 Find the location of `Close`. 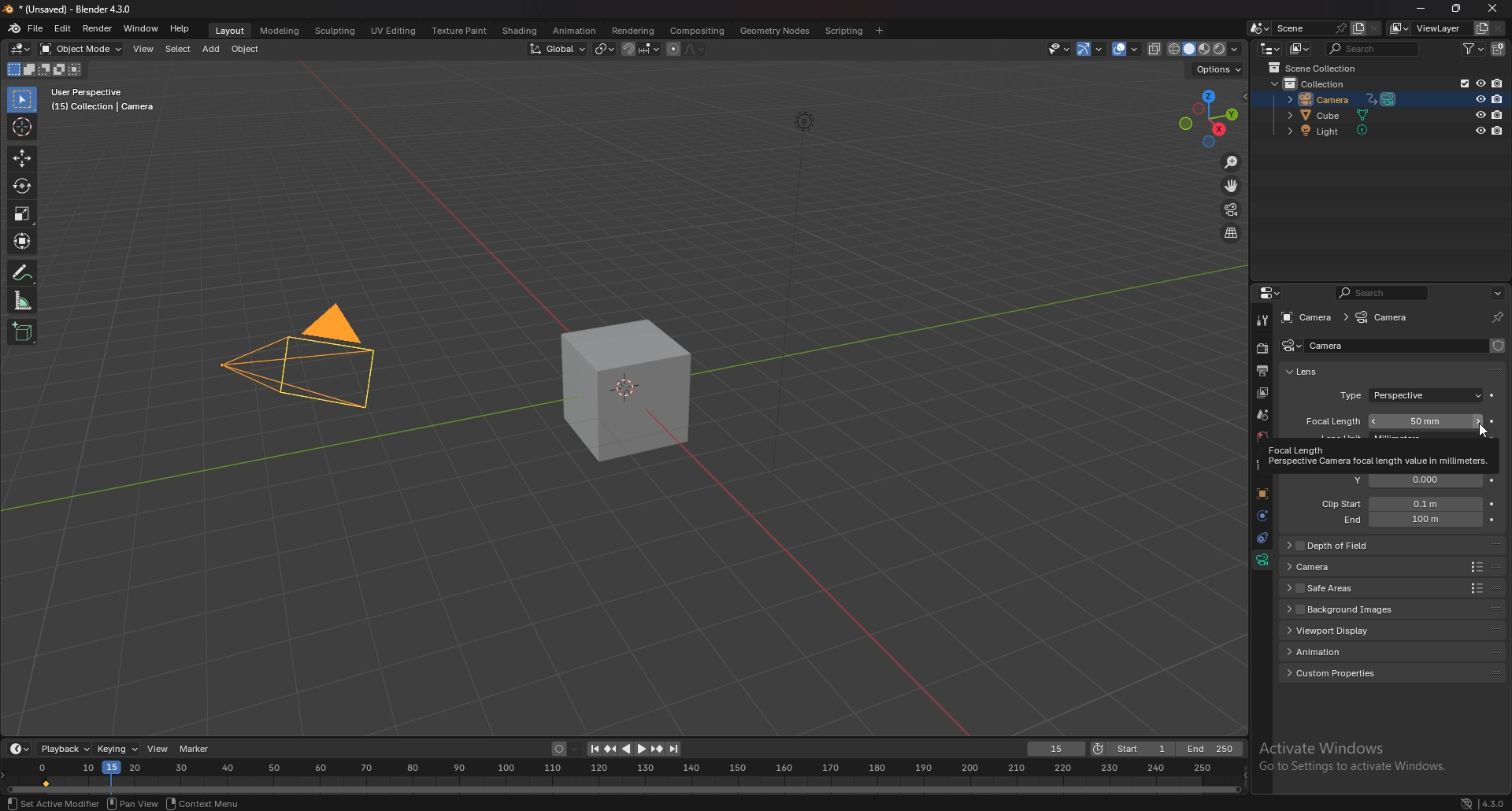

Close is located at coordinates (1490, 9).